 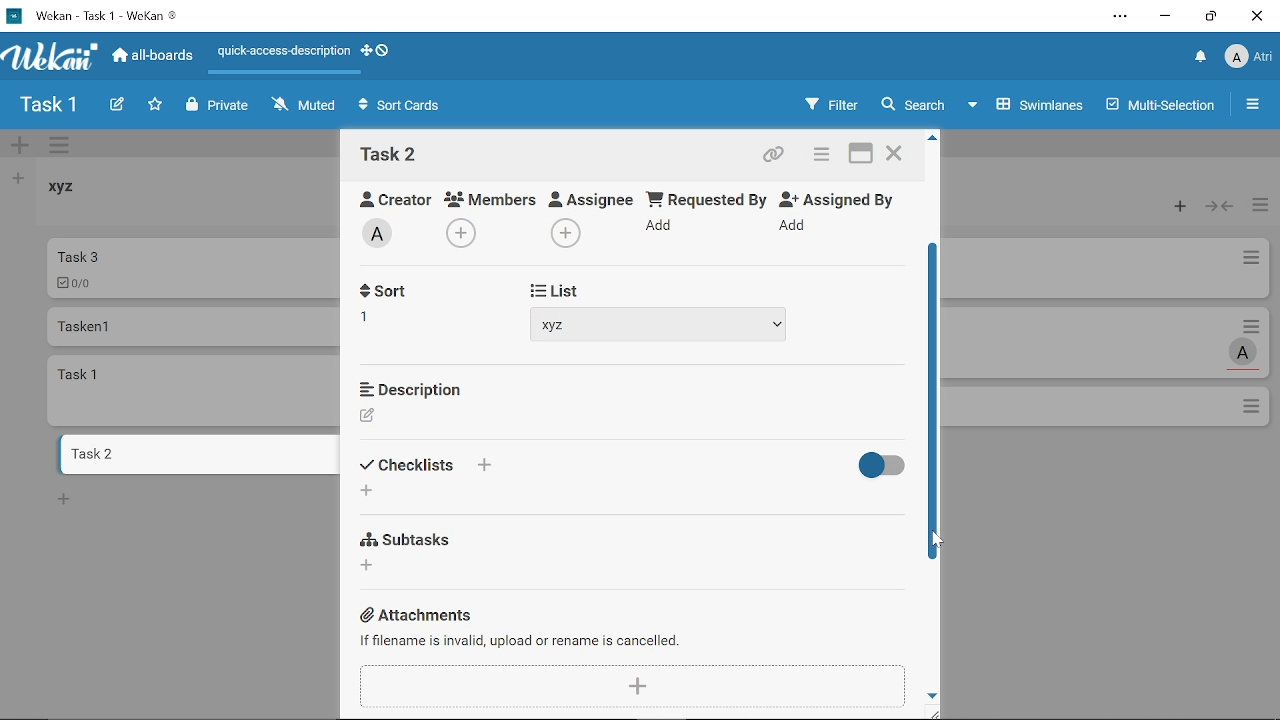 What do you see at coordinates (369, 565) in the screenshot?
I see `Add substacks` at bounding box center [369, 565].